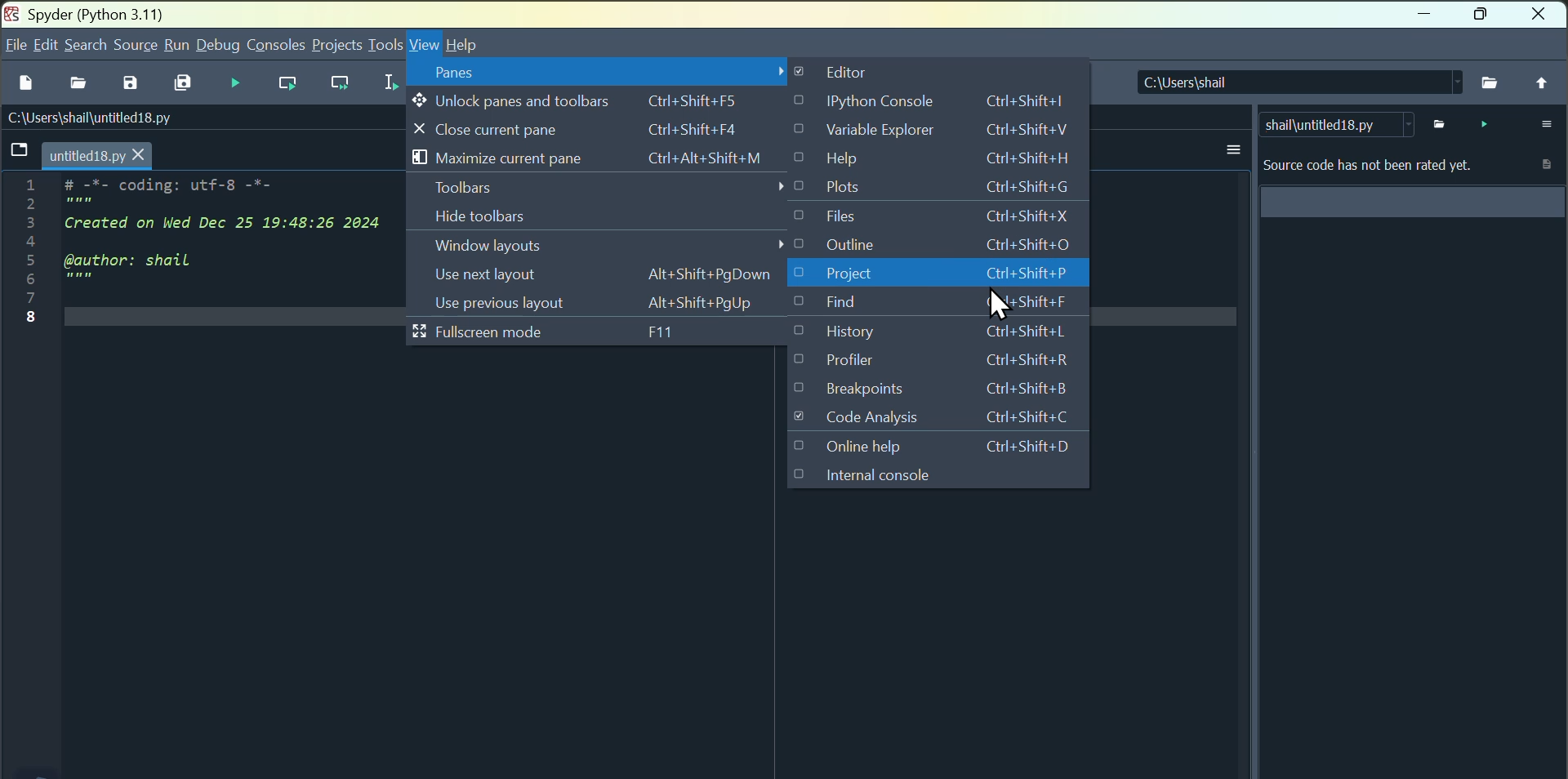 This screenshot has width=1568, height=779. Describe the element at coordinates (15, 49) in the screenshot. I see `File` at that location.